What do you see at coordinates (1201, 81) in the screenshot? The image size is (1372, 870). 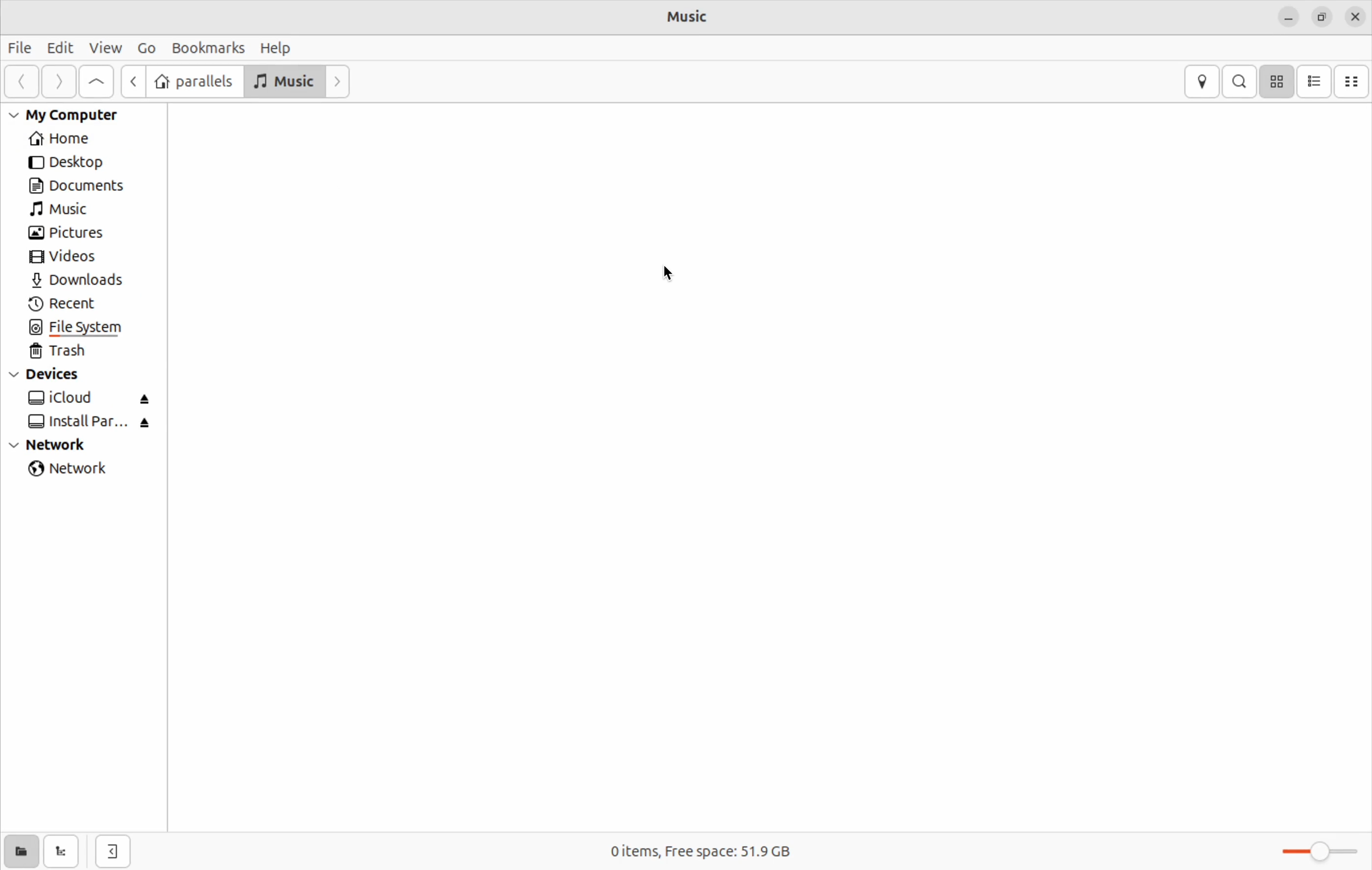 I see `location` at bounding box center [1201, 81].